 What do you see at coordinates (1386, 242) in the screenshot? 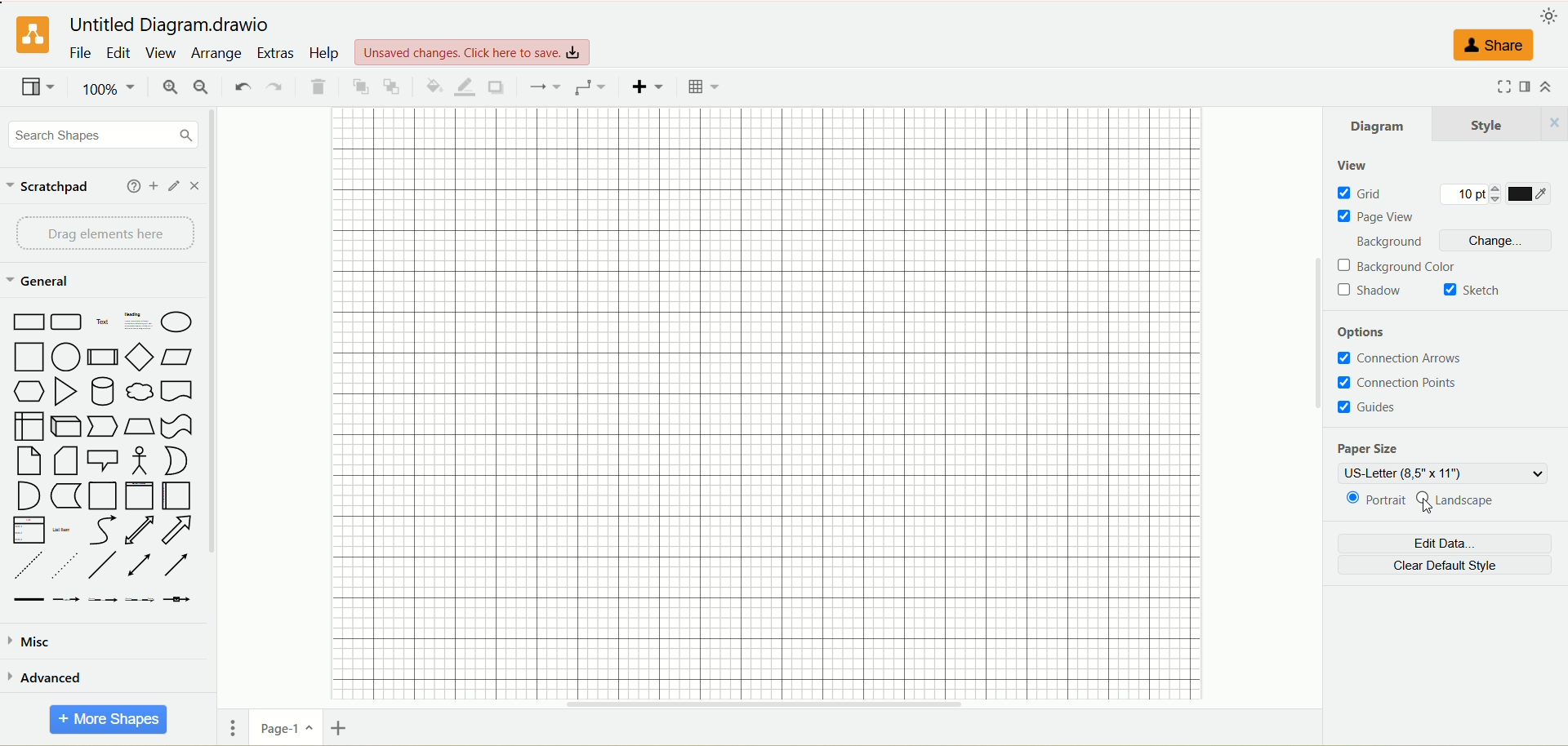
I see `background` at bounding box center [1386, 242].